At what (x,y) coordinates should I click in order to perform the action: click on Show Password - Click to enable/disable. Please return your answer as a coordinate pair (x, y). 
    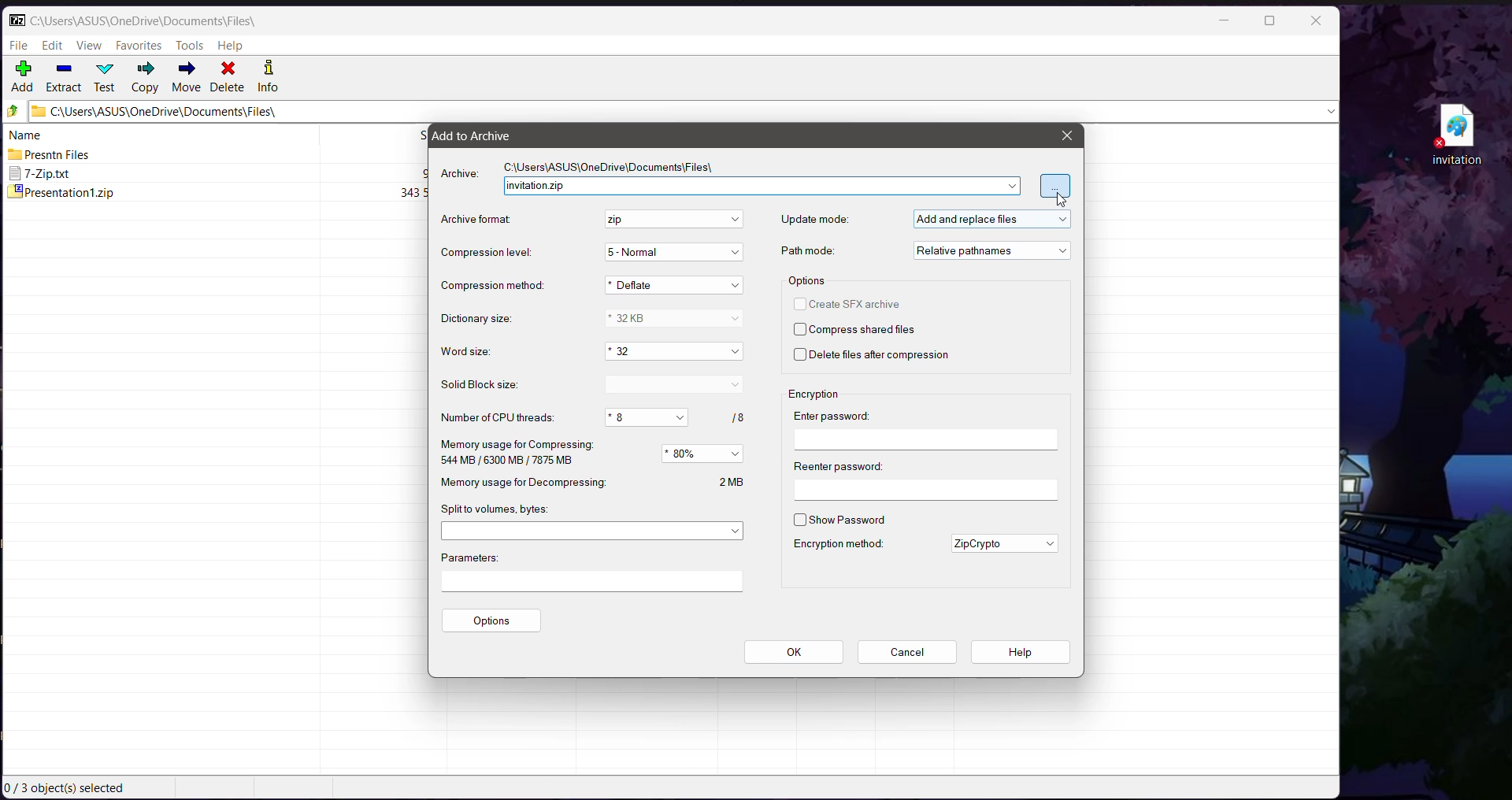
    Looking at the image, I should click on (839, 519).